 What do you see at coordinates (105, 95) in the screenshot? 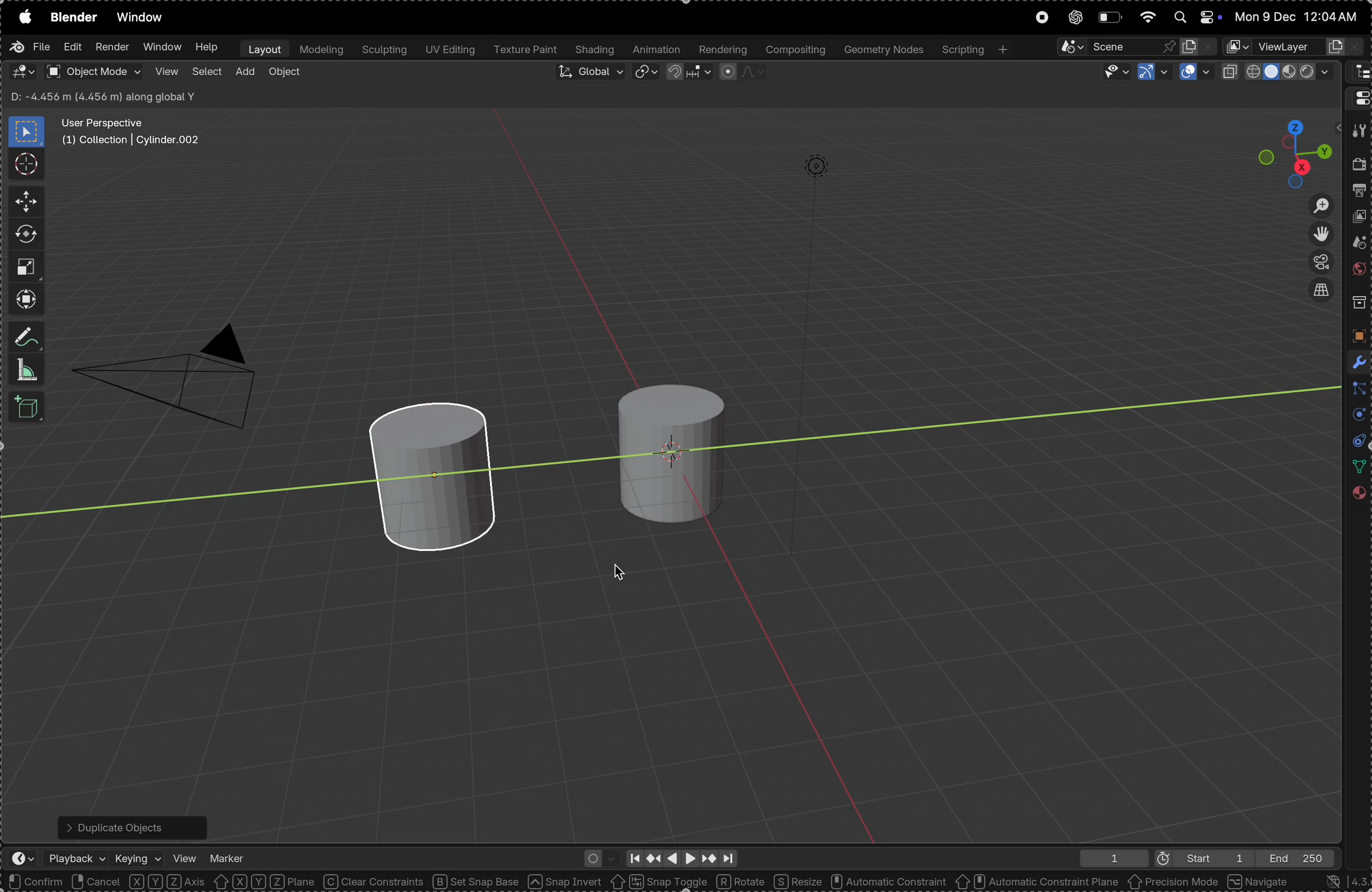
I see `modes` at bounding box center [105, 95].